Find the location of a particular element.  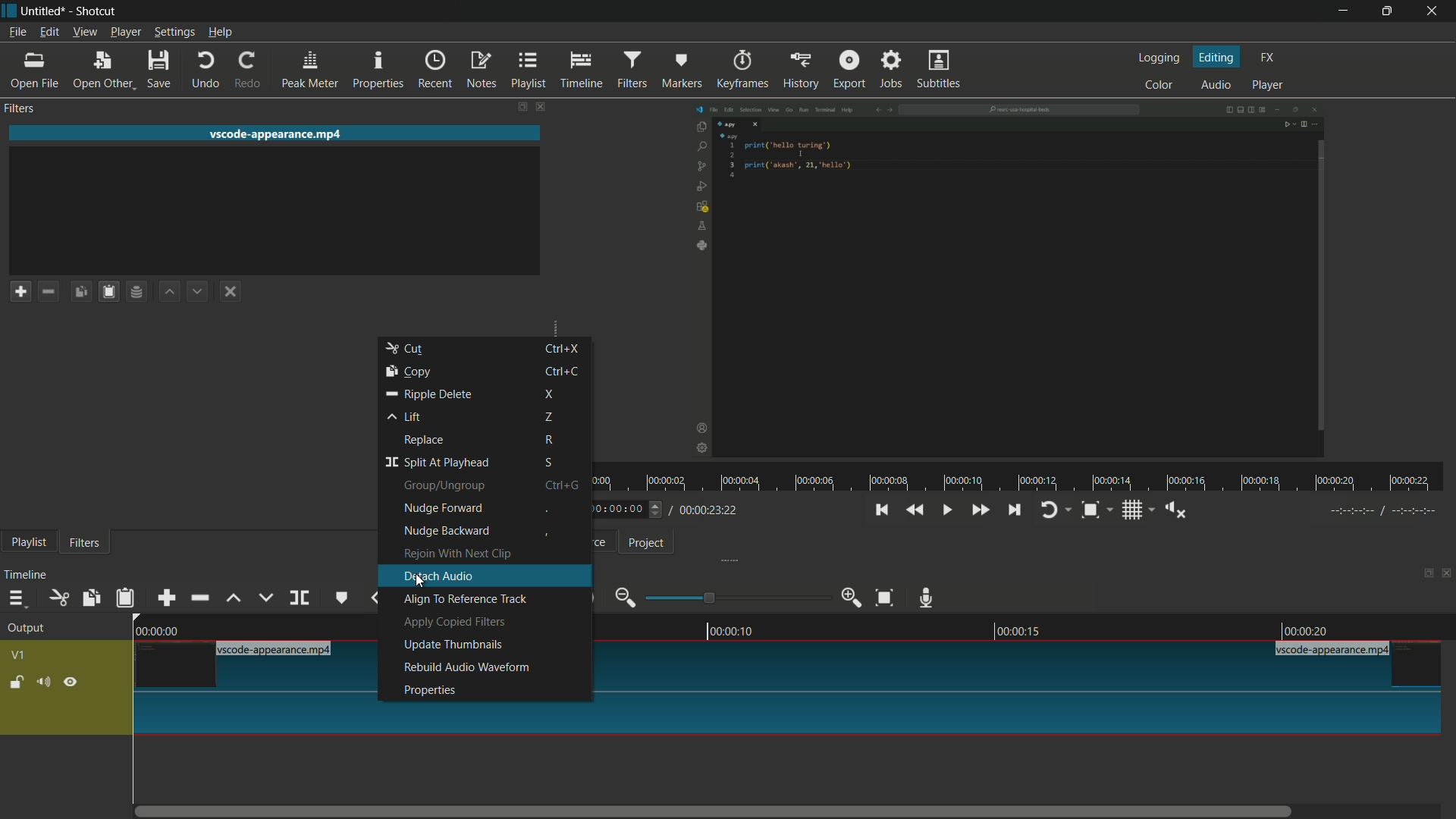

create or edit marker is located at coordinates (340, 598).